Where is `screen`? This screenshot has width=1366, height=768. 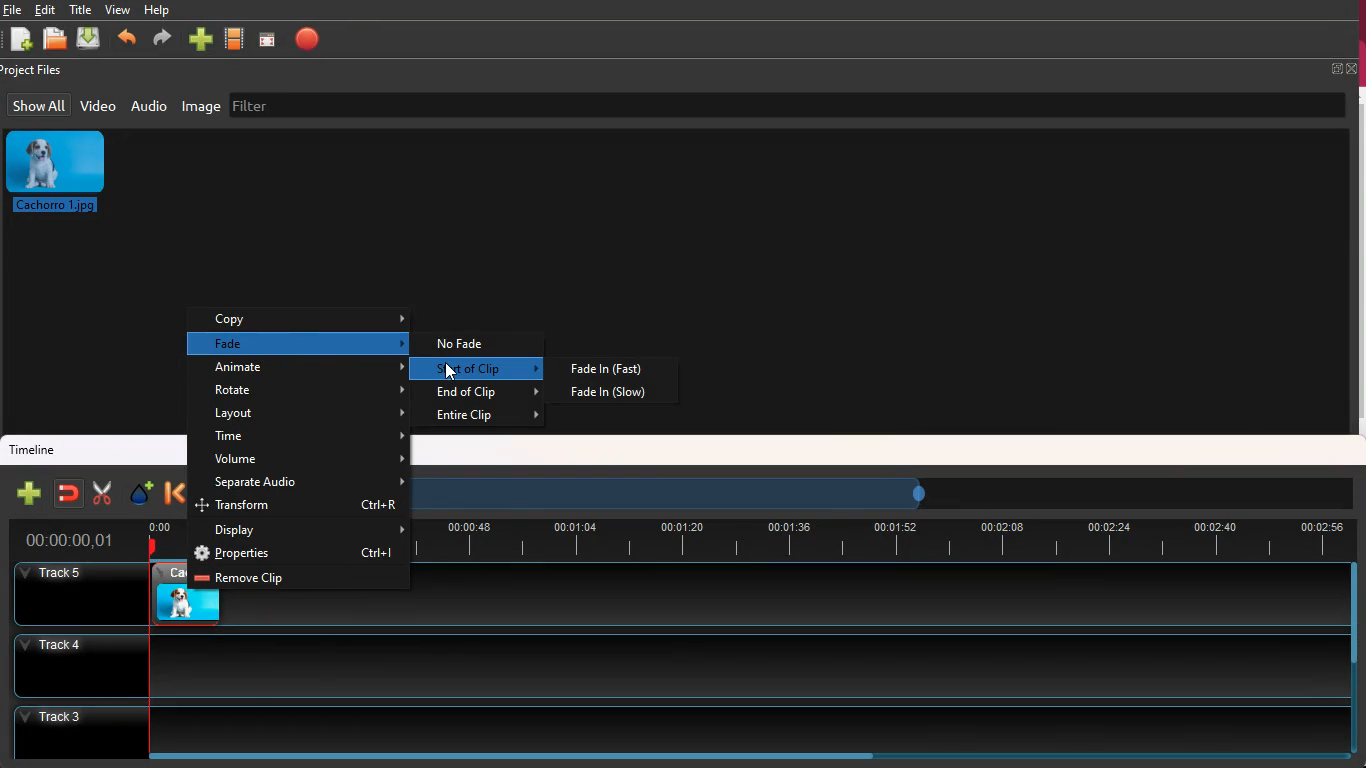 screen is located at coordinates (271, 39).